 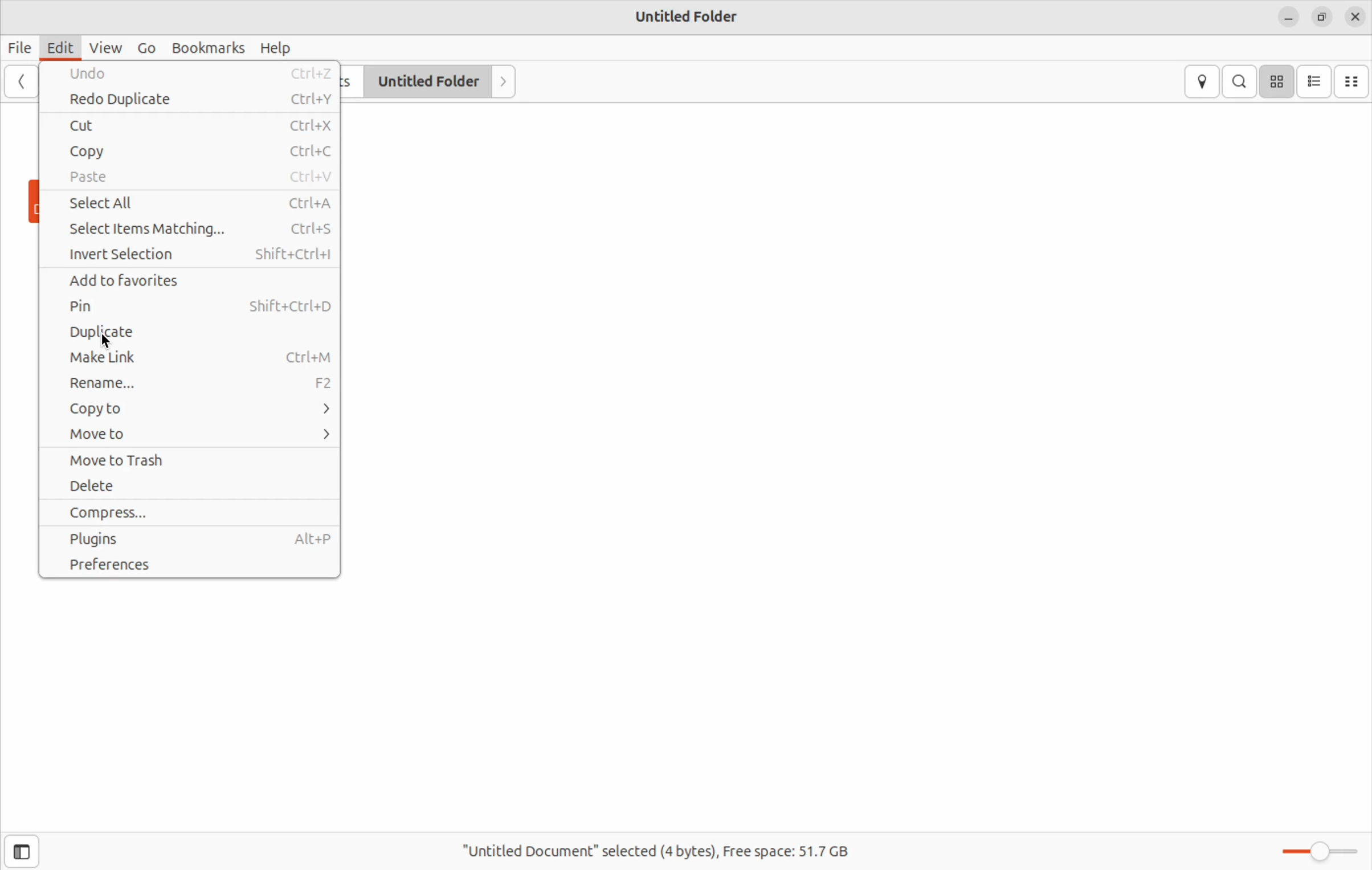 What do you see at coordinates (1241, 81) in the screenshot?
I see `search` at bounding box center [1241, 81].